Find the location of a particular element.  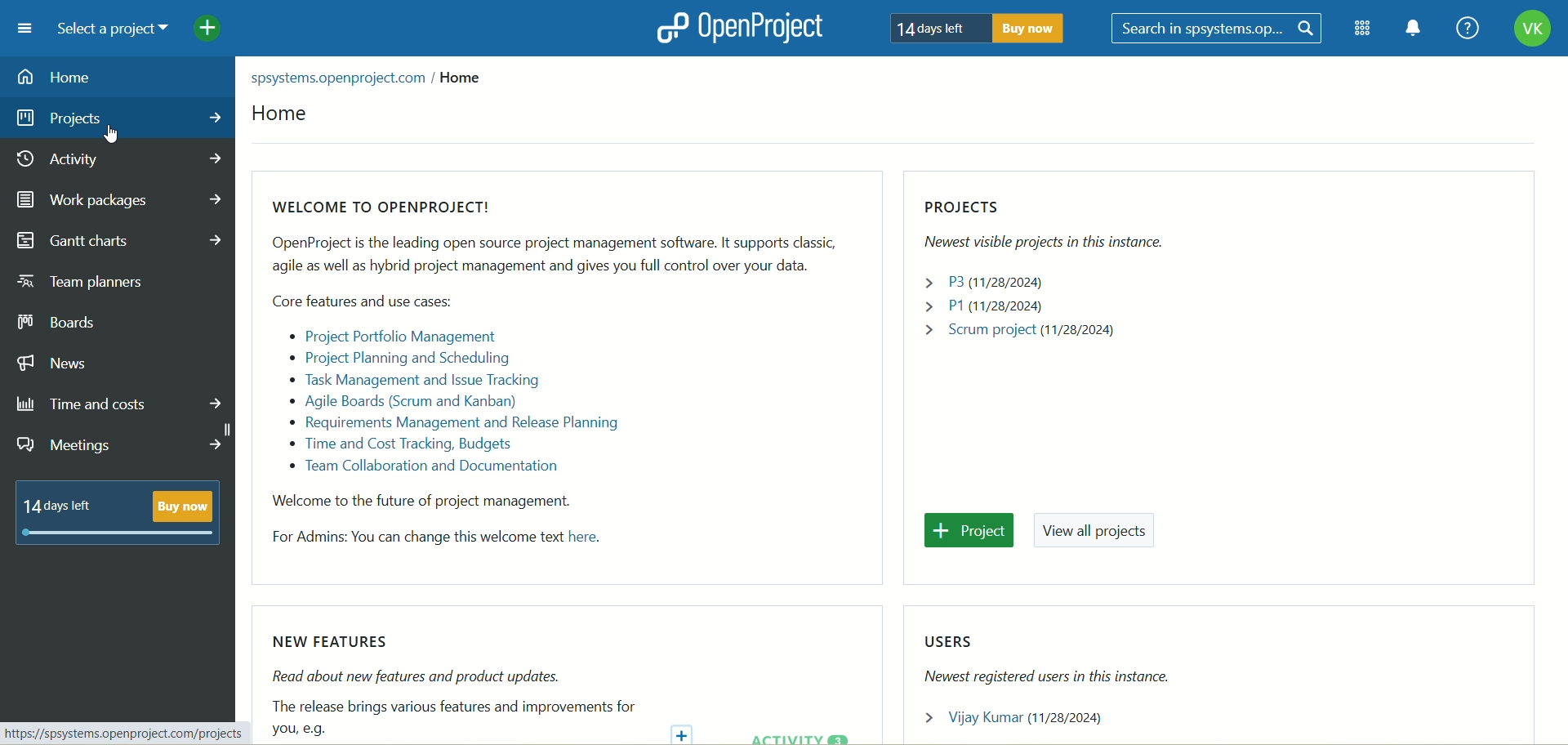

projects is located at coordinates (119, 122).